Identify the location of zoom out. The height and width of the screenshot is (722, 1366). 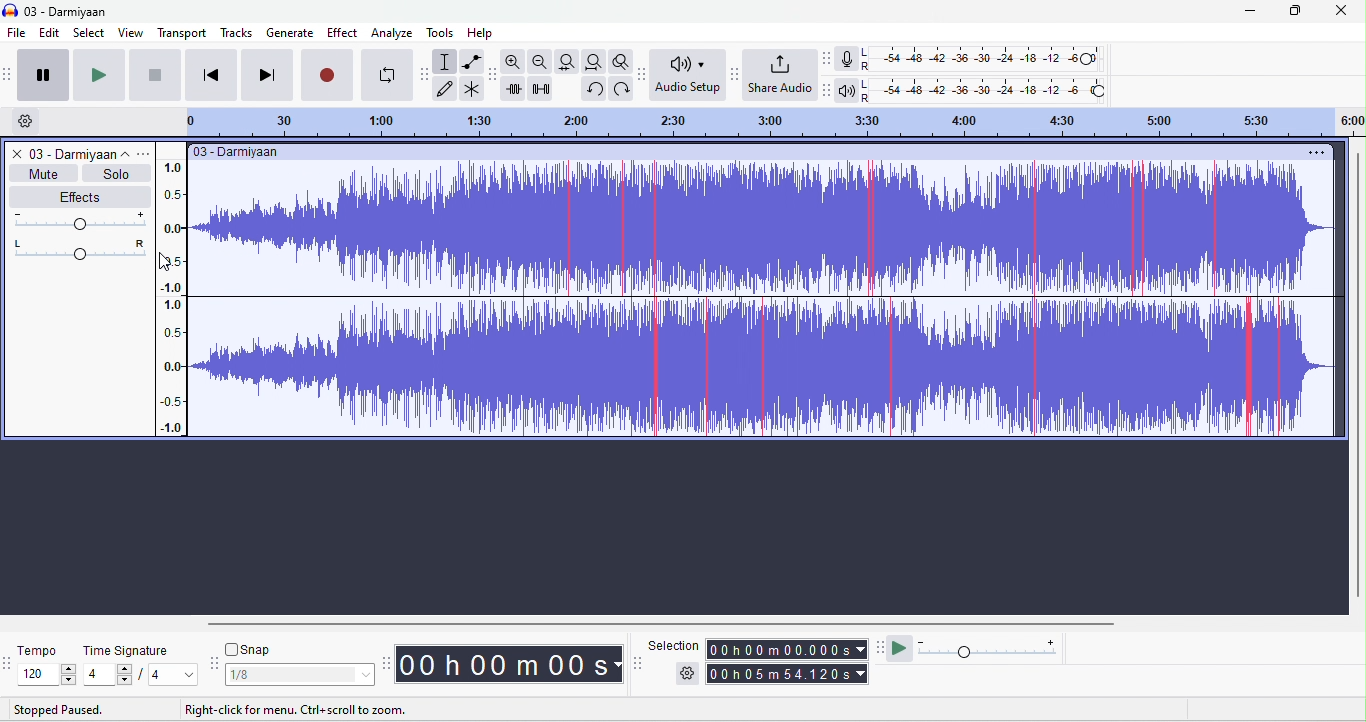
(541, 62).